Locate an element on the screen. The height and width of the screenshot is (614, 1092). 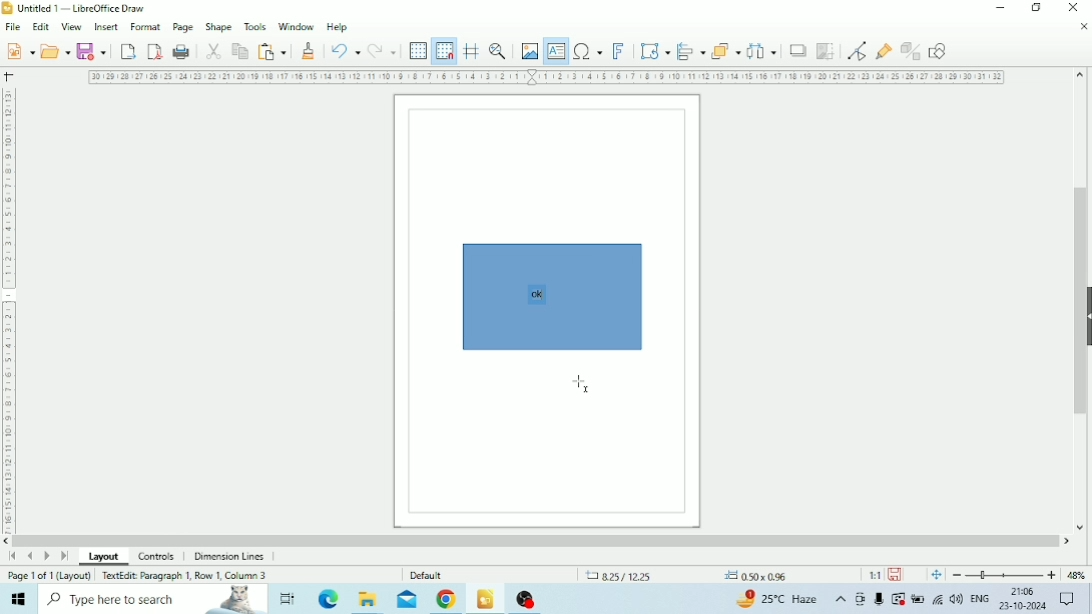
Close is located at coordinates (1074, 7).